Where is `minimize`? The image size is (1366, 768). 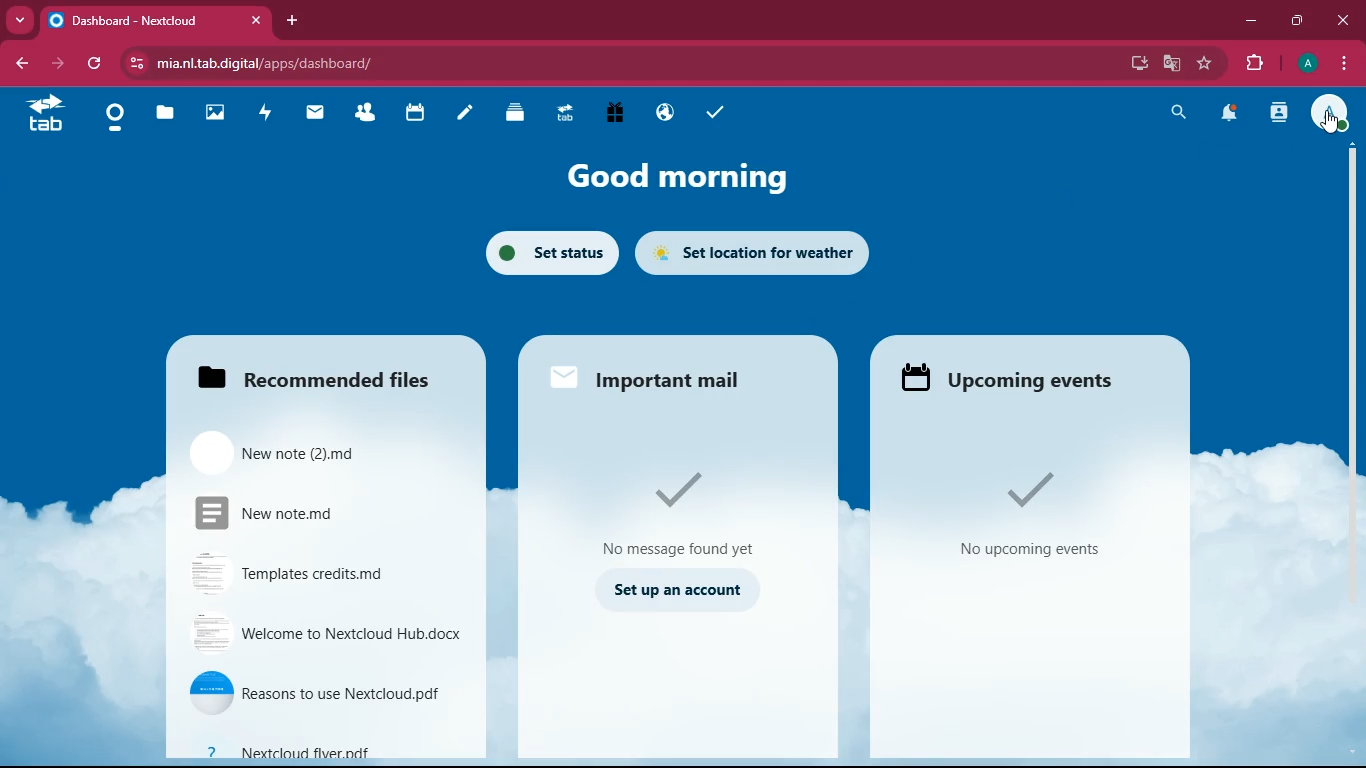 minimize is located at coordinates (1247, 23).